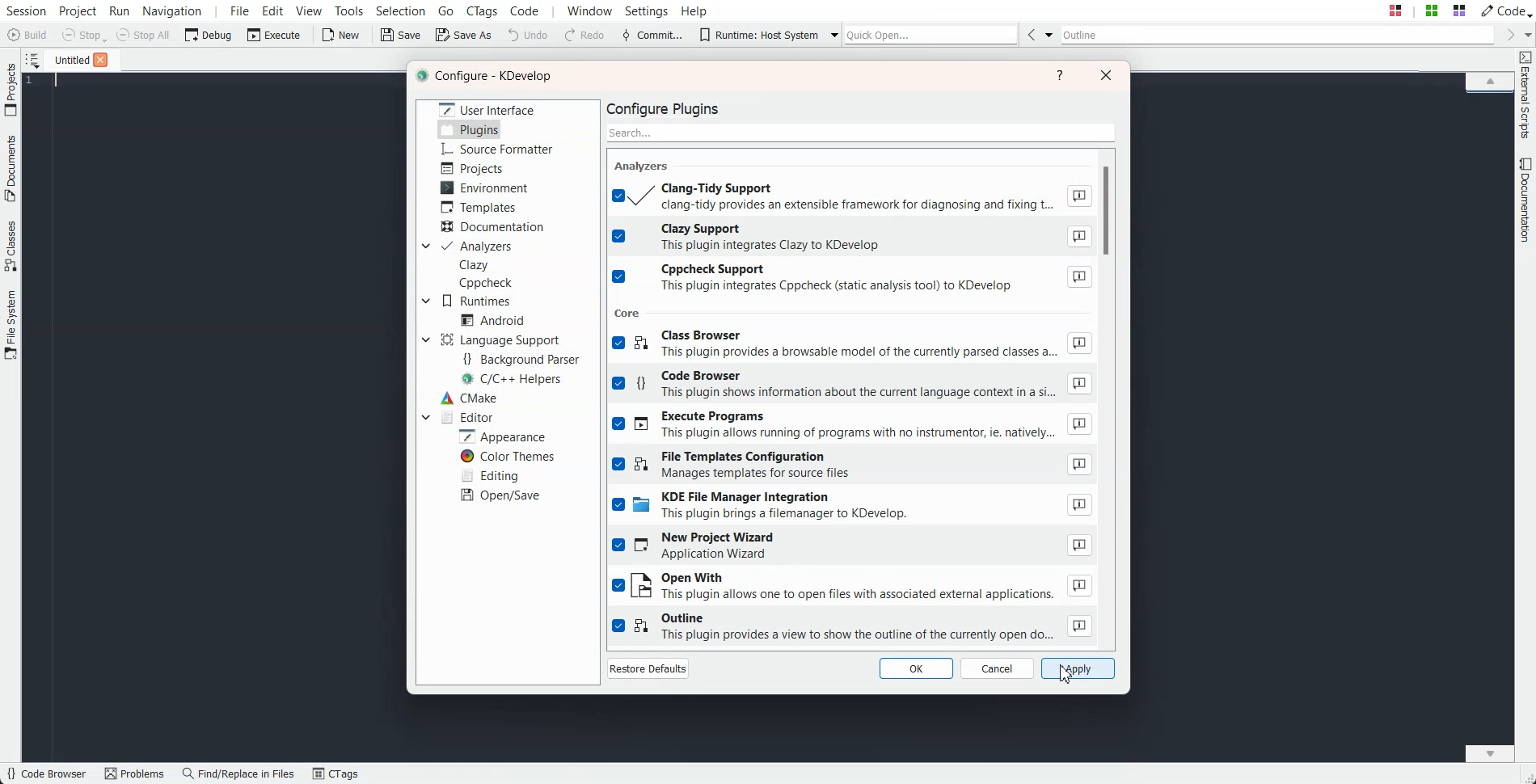 This screenshot has width=1536, height=784. What do you see at coordinates (669, 107) in the screenshot?
I see `Text` at bounding box center [669, 107].